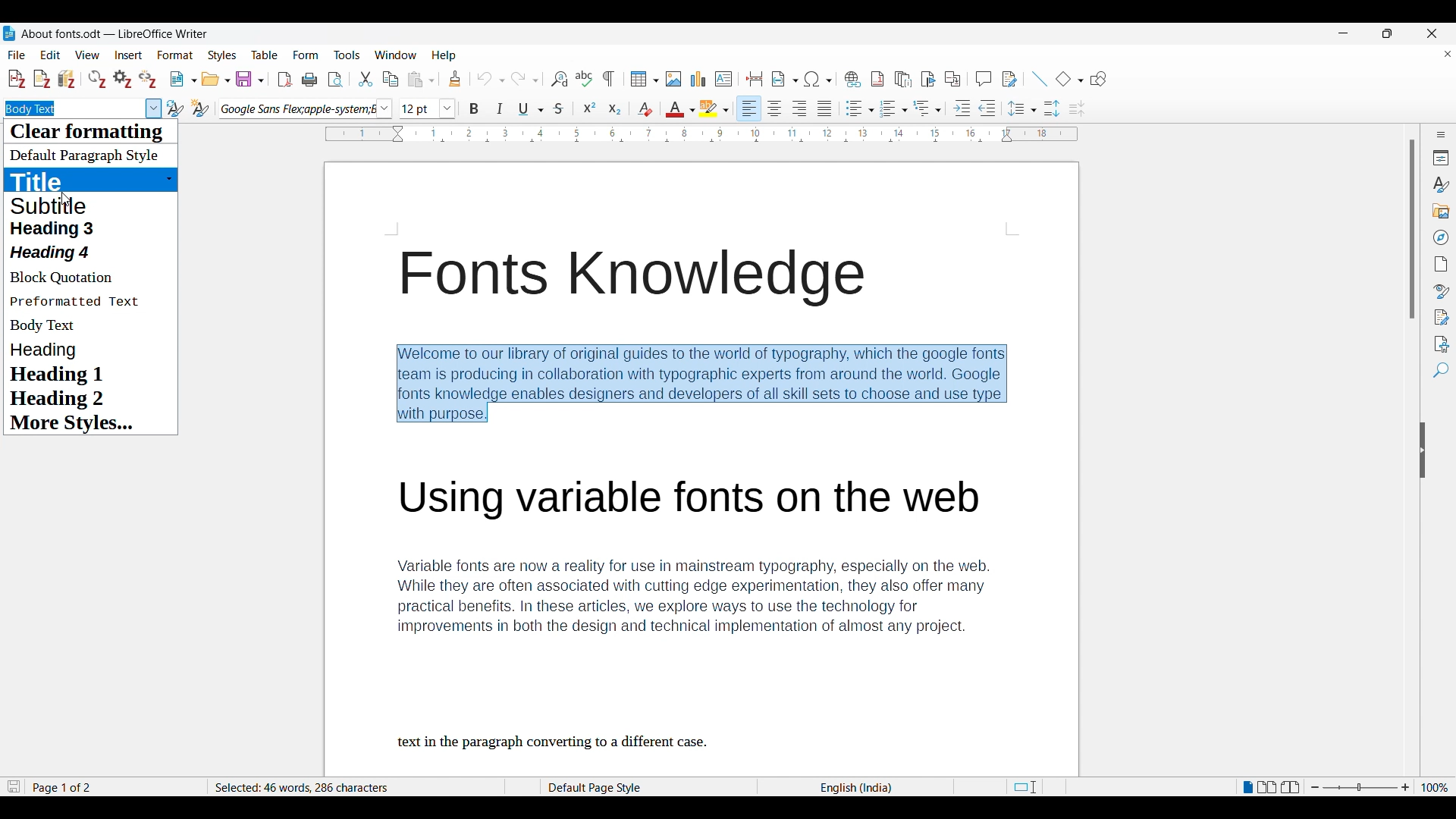 The image size is (1456, 819). I want to click on Navigator, so click(1442, 237).